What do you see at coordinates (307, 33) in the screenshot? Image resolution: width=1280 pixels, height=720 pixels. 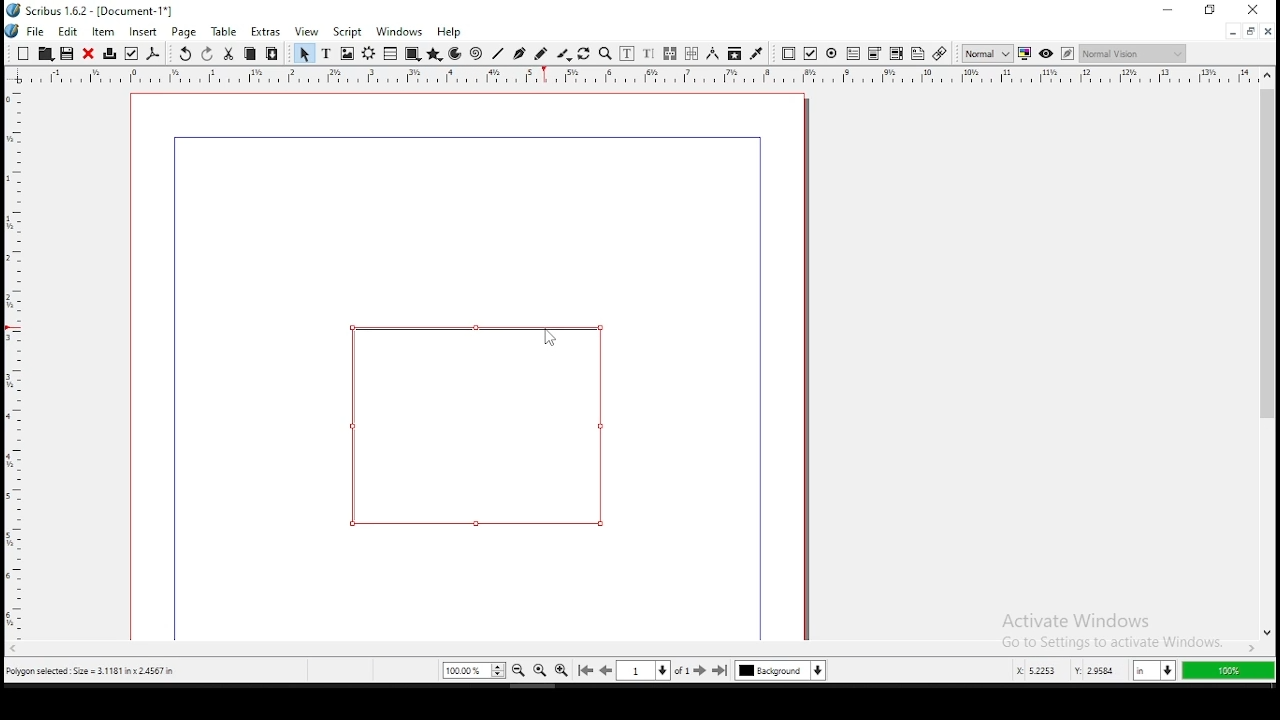 I see `view` at bounding box center [307, 33].